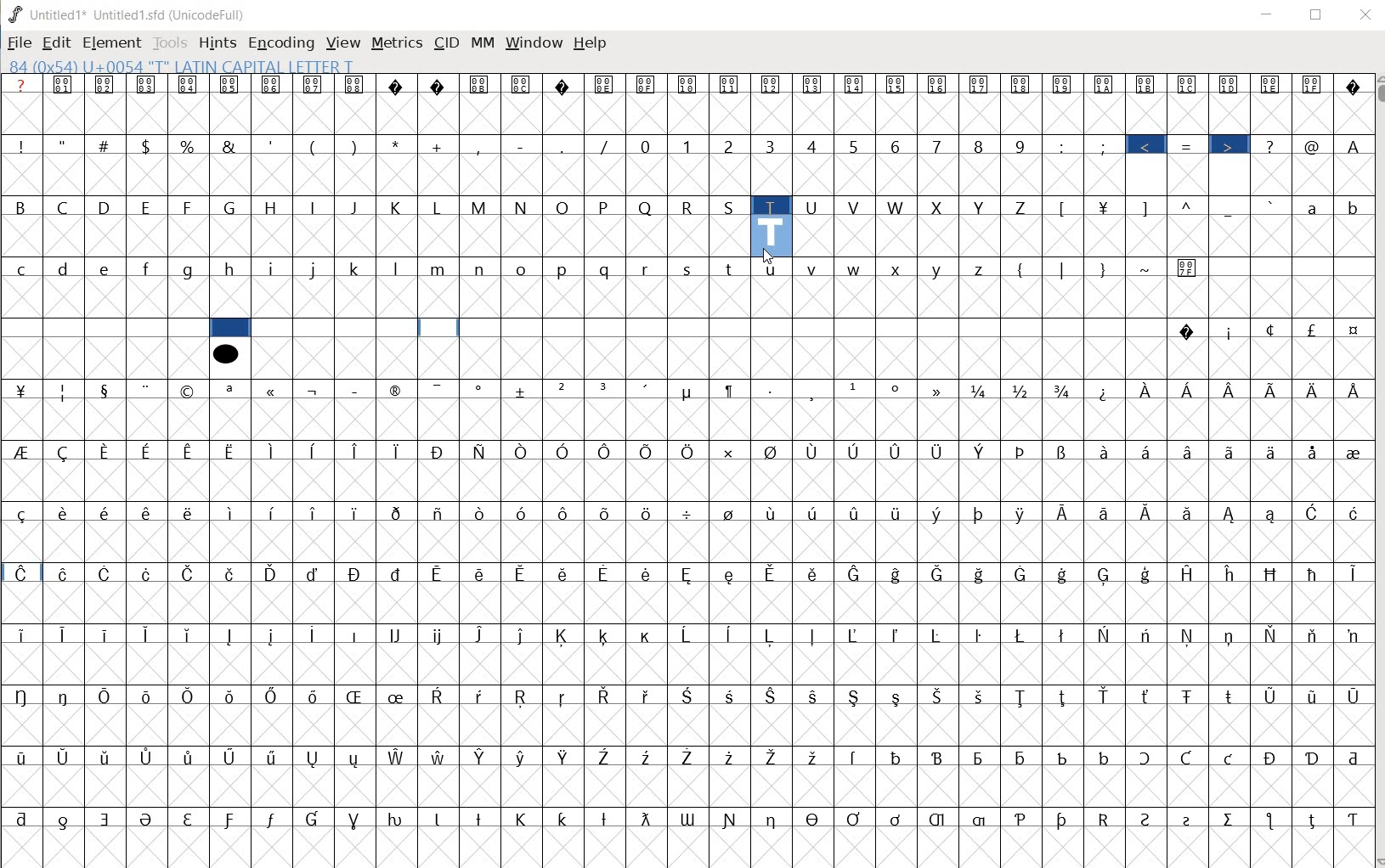 The image size is (1385, 868). Describe the element at coordinates (66, 636) in the screenshot. I see `Symbol` at that location.